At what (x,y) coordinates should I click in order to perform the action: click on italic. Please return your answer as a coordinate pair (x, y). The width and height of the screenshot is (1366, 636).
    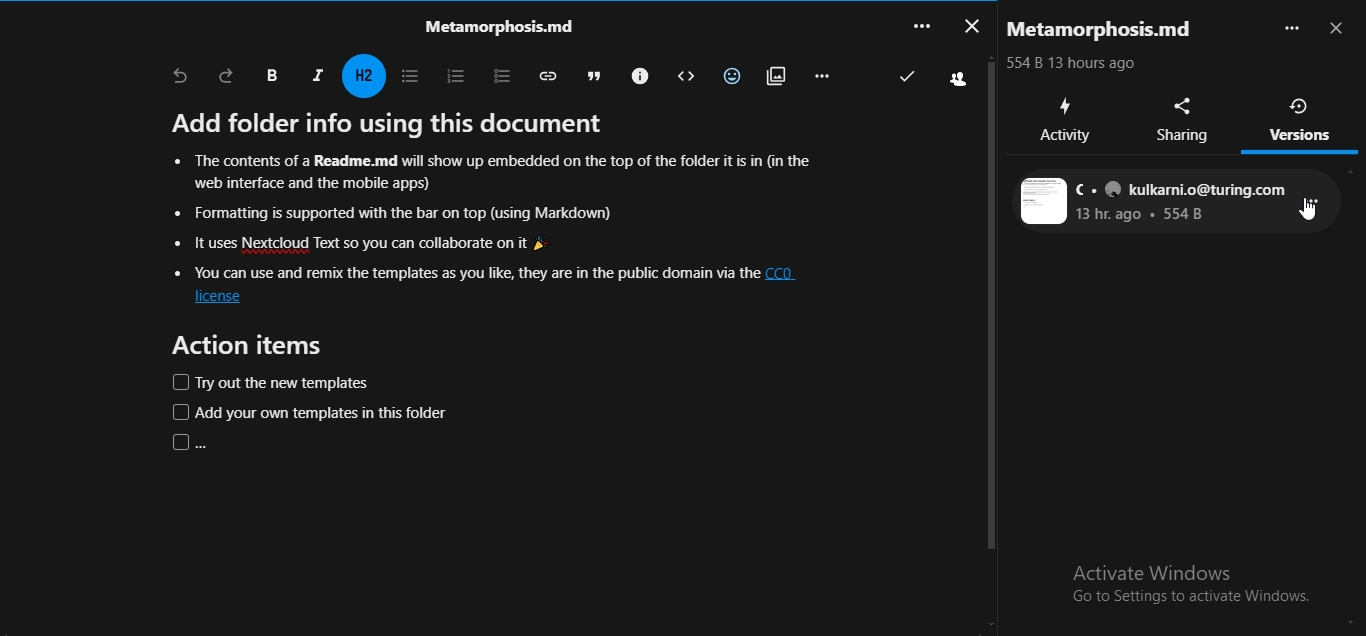
    Looking at the image, I should click on (317, 74).